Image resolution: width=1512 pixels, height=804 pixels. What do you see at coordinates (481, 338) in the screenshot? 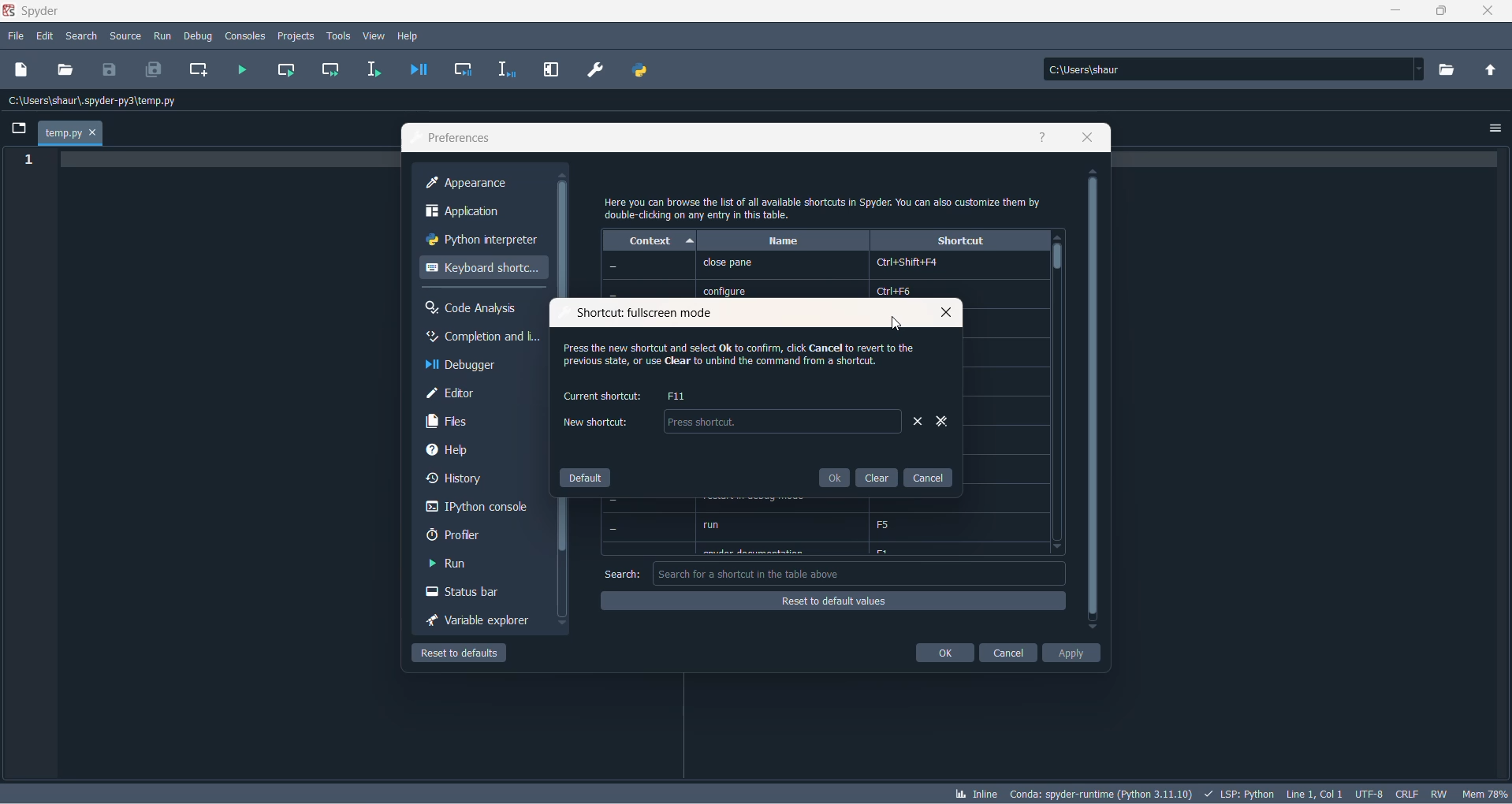
I see `completion` at bounding box center [481, 338].